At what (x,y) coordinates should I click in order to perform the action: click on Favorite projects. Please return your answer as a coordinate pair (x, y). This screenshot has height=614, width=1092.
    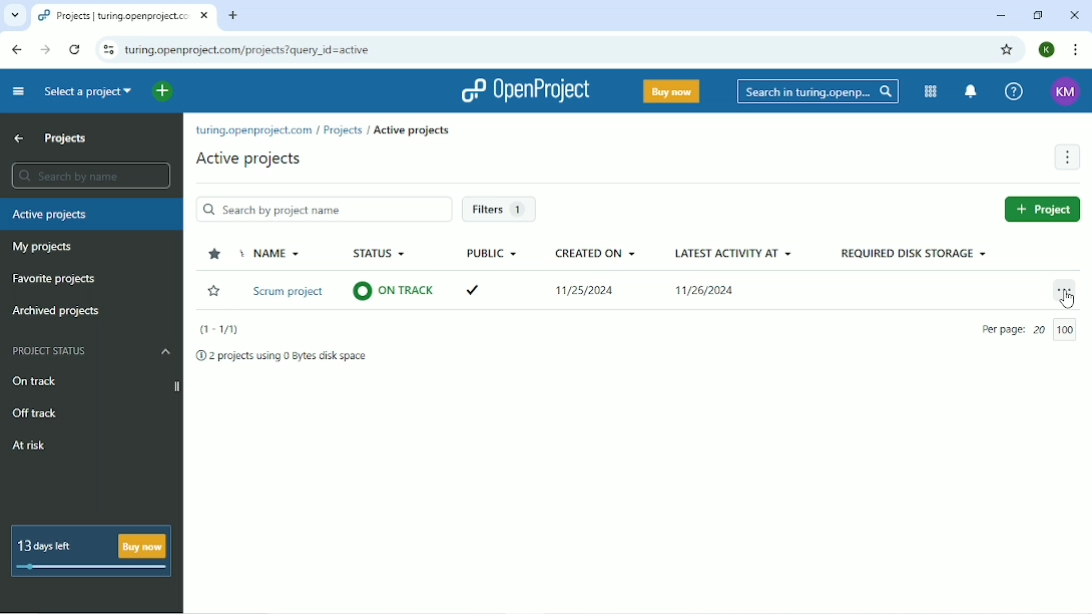
    Looking at the image, I should click on (53, 278).